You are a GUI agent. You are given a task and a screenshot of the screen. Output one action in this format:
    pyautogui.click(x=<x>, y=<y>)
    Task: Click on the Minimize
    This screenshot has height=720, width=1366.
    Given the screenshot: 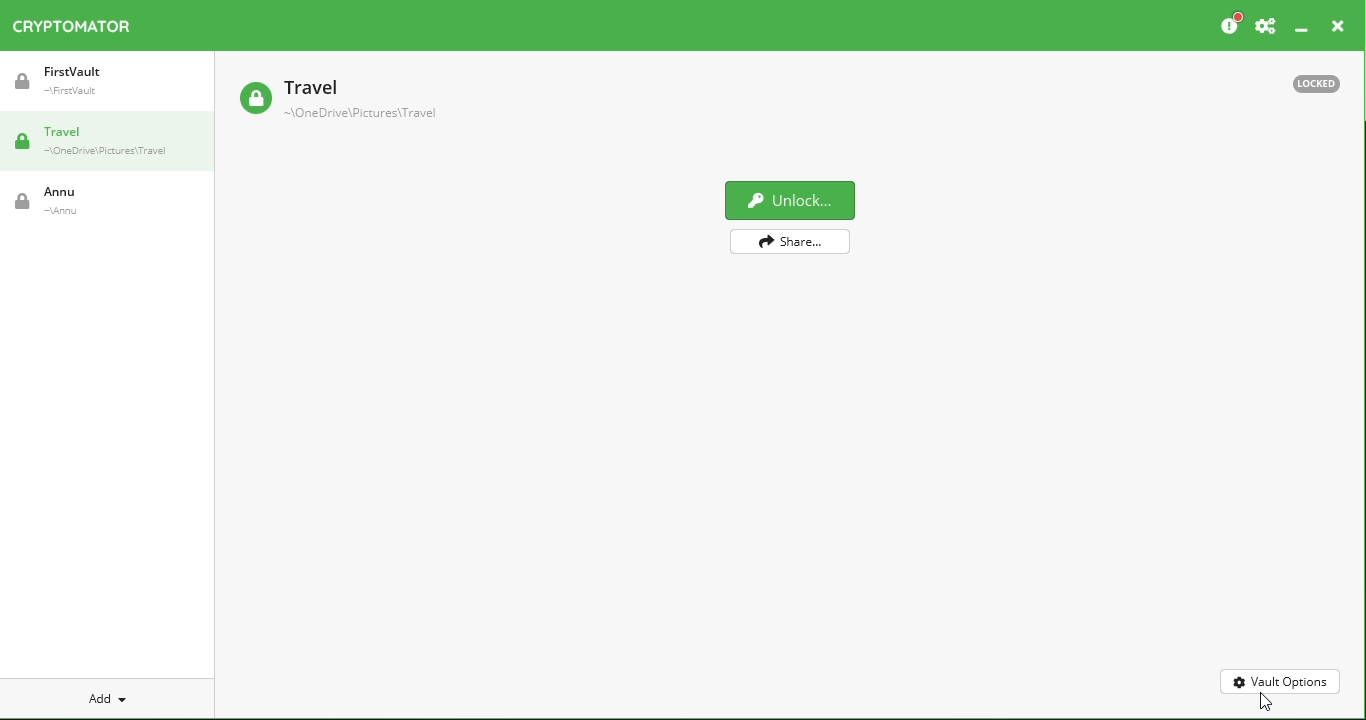 What is the action you would take?
    pyautogui.click(x=1300, y=24)
    